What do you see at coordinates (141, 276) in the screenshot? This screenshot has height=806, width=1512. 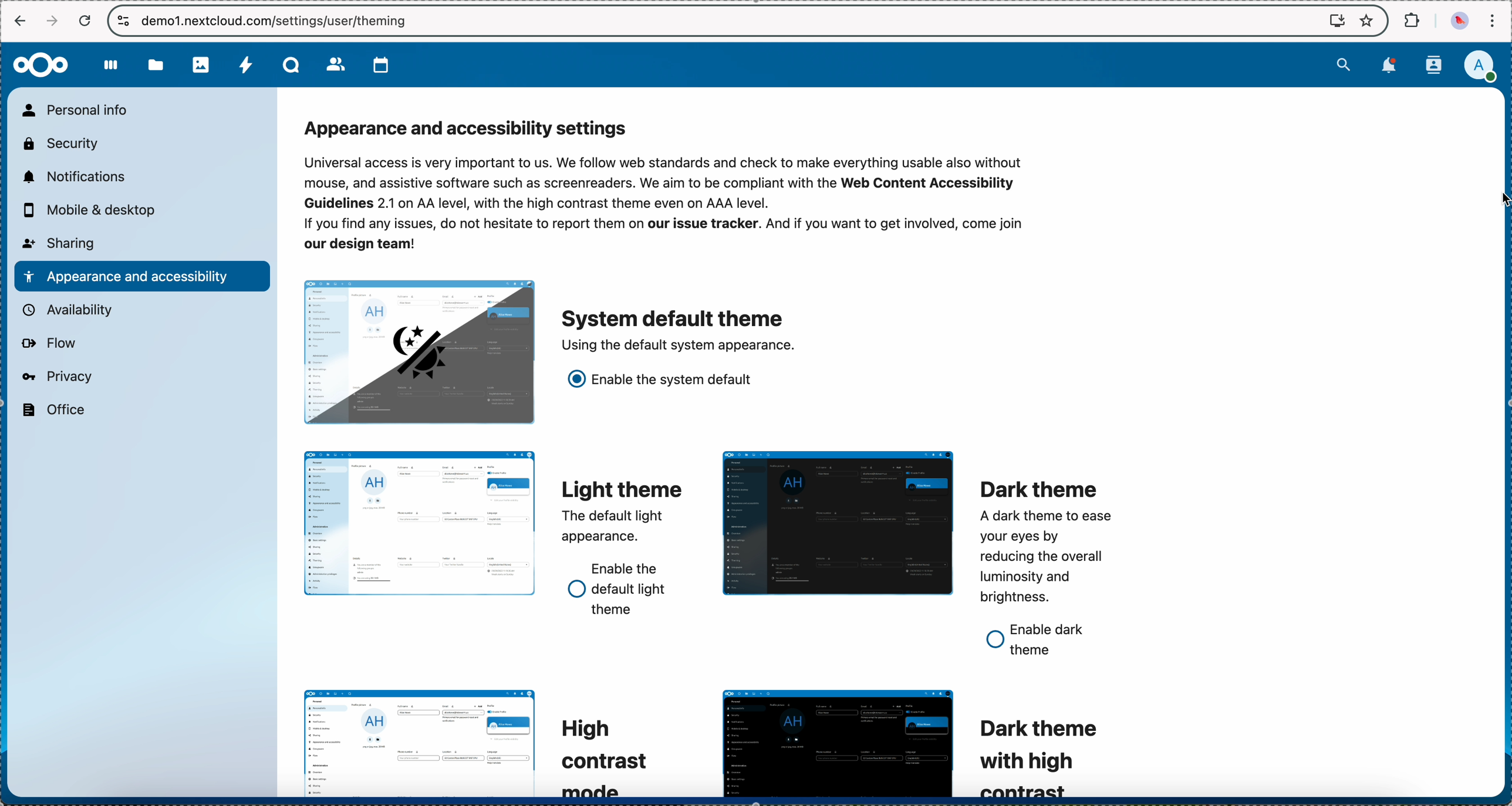 I see `appearance and accessibility` at bounding box center [141, 276].